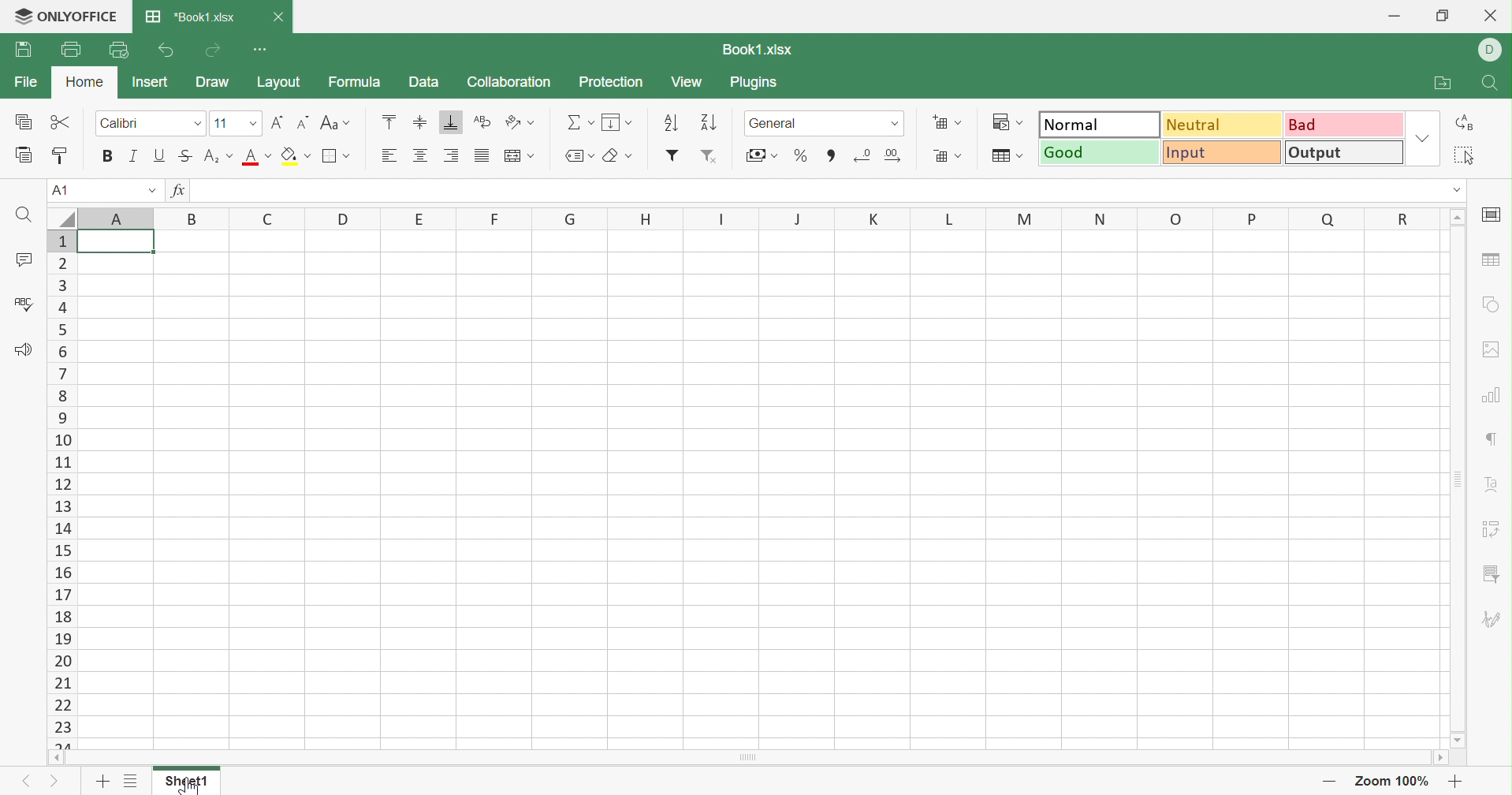 Image resolution: width=1512 pixels, height=795 pixels. What do you see at coordinates (1454, 482) in the screenshot?
I see `Scroll Bar` at bounding box center [1454, 482].